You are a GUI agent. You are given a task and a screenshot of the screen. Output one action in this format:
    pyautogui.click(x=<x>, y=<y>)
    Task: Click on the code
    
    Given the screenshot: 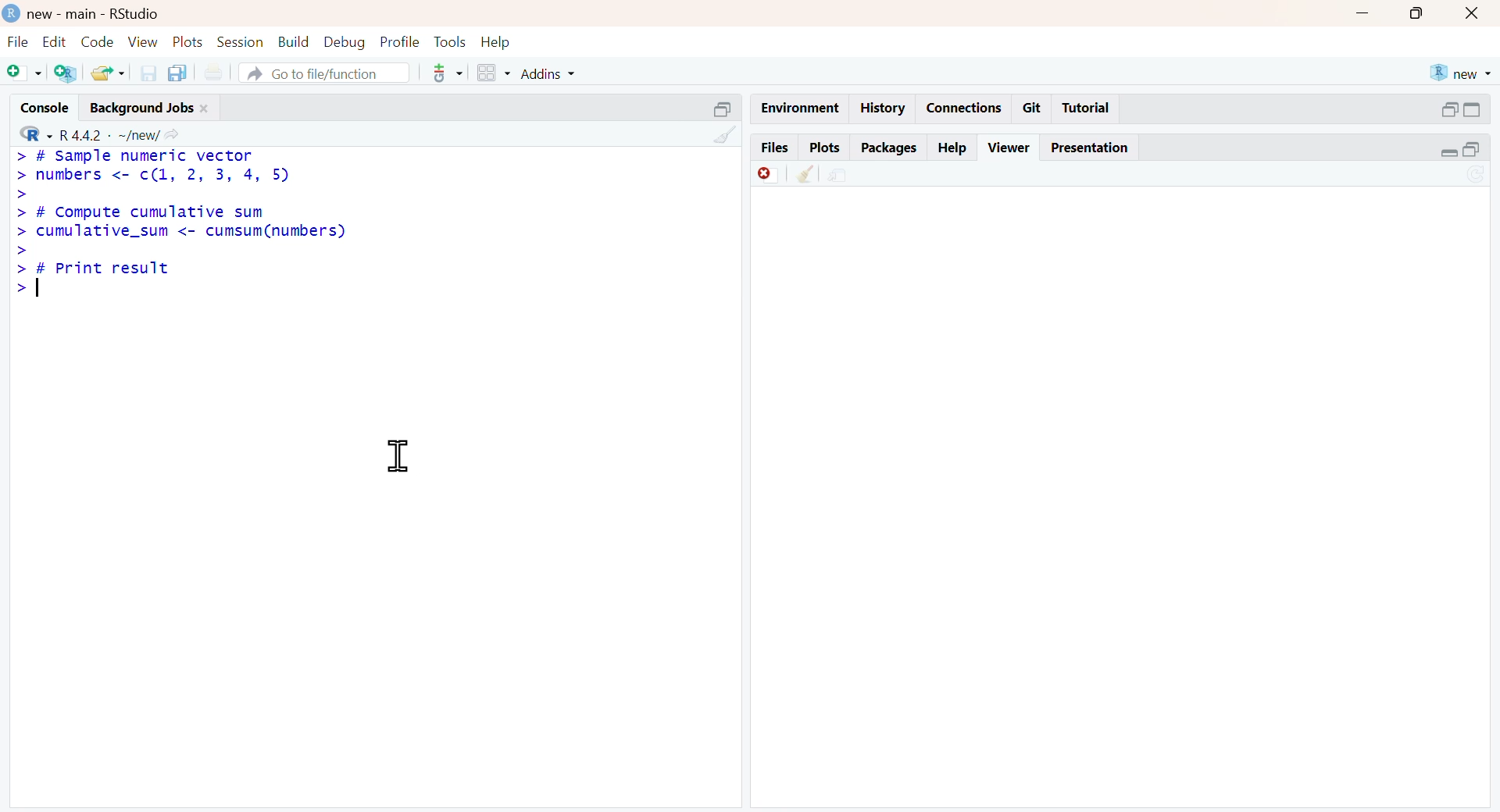 What is the action you would take?
    pyautogui.click(x=97, y=41)
    